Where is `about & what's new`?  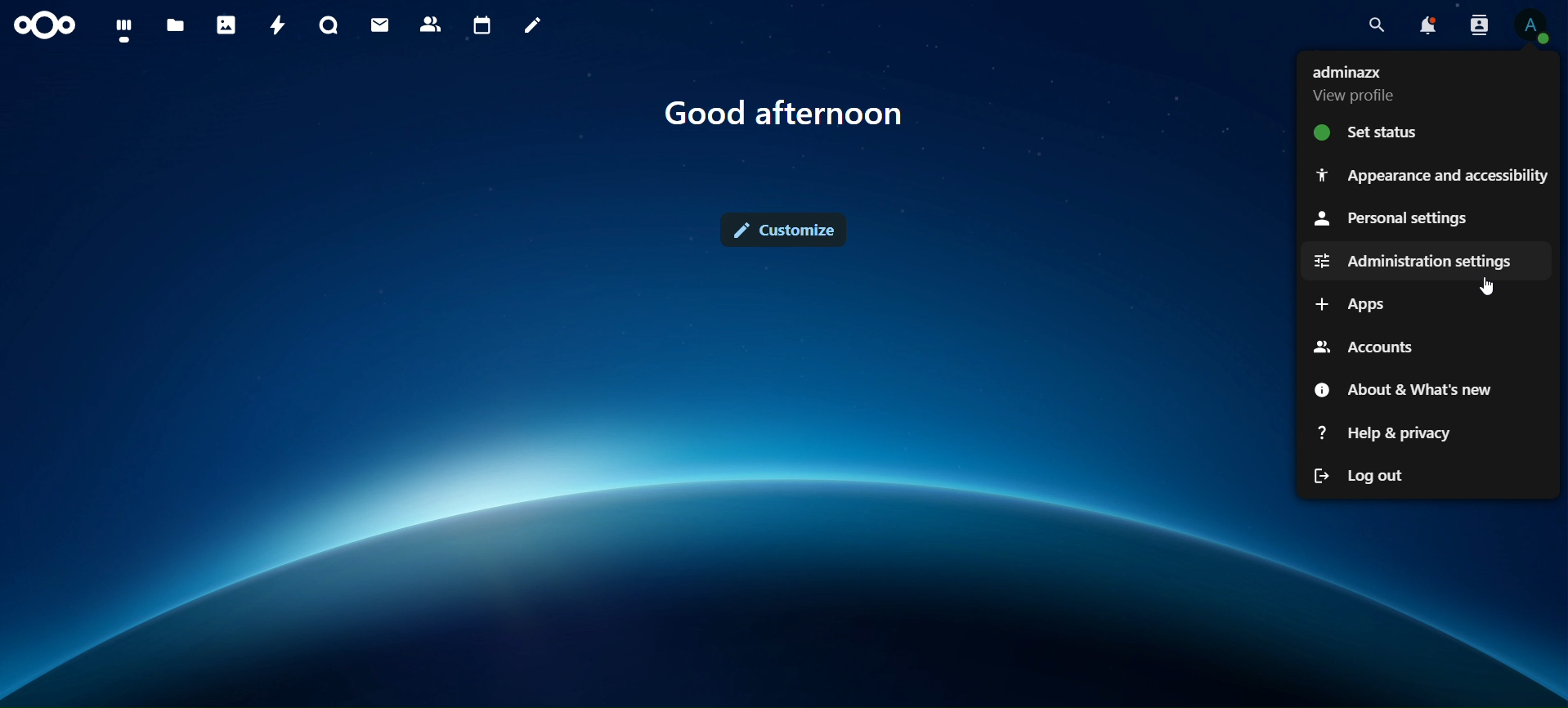
about & what's new is located at coordinates (1400, 391).